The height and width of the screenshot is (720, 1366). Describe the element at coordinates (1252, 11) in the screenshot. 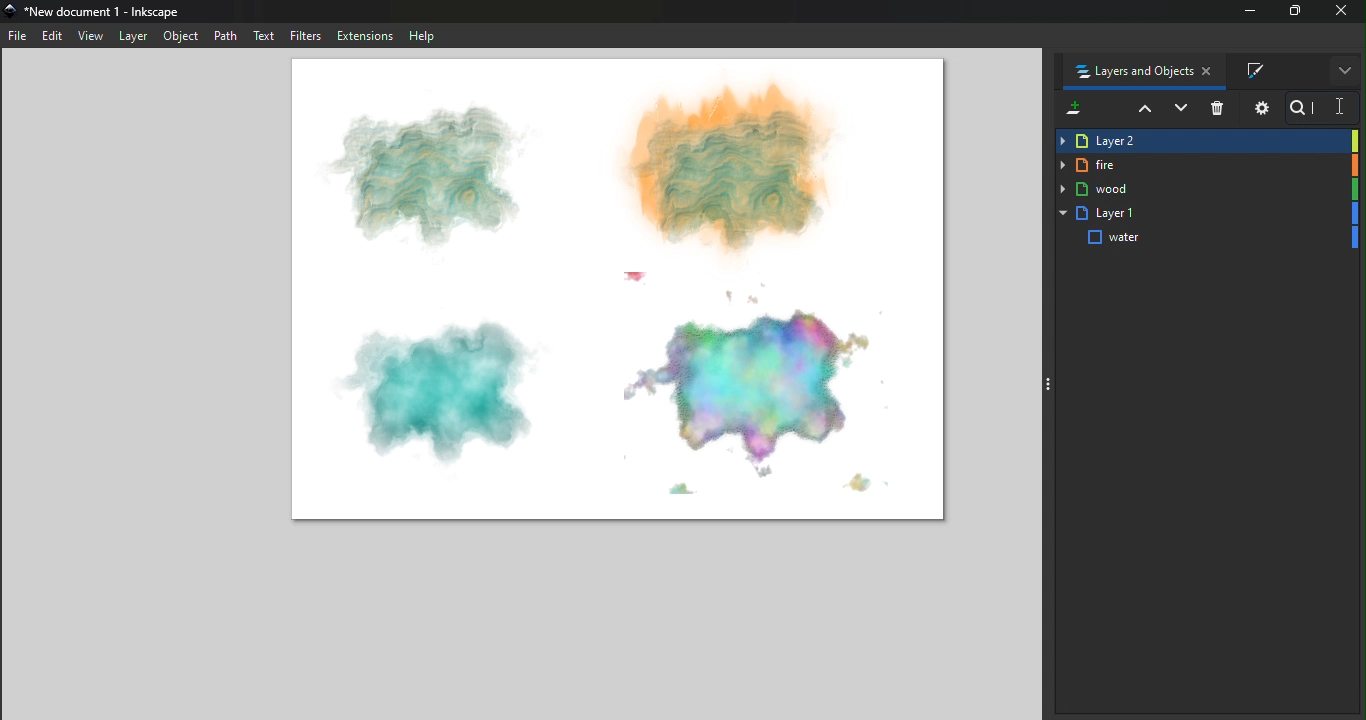

I see `minimize` at that location.